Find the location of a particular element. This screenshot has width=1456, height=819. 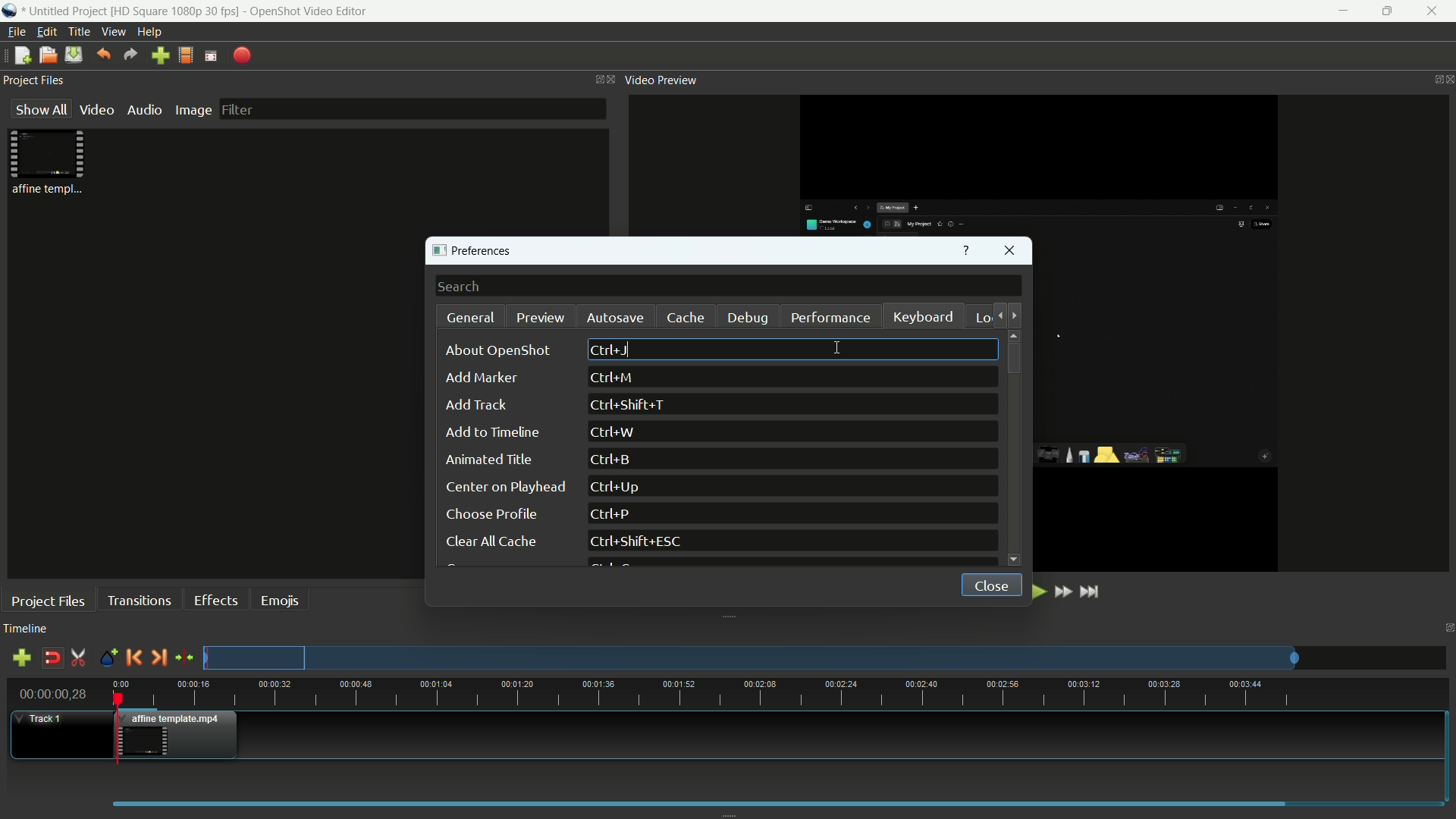

help menu is located at coordinates (152, 33).